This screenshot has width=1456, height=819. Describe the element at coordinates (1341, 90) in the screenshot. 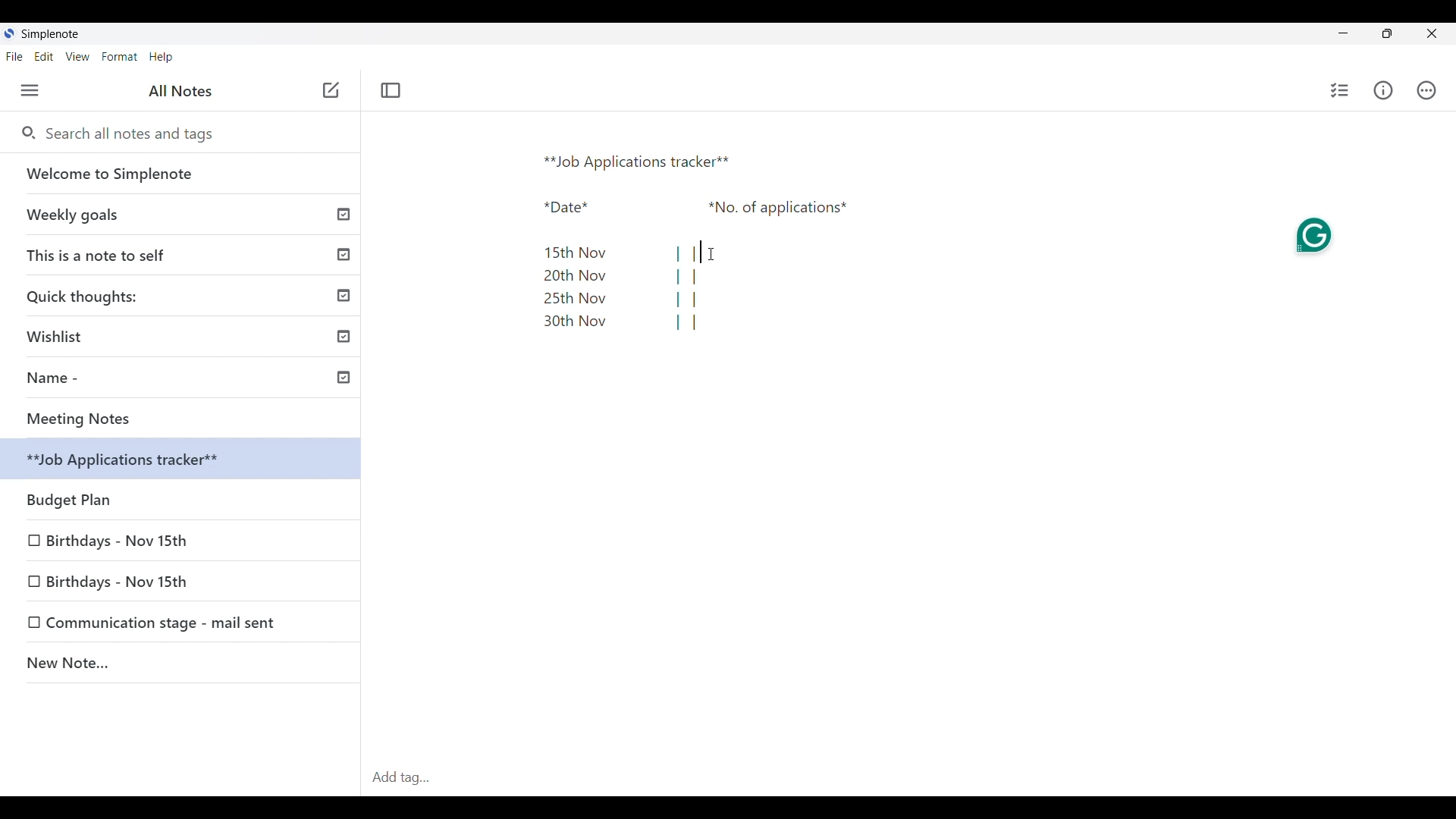

I see `Click to insert checklist` at that location.